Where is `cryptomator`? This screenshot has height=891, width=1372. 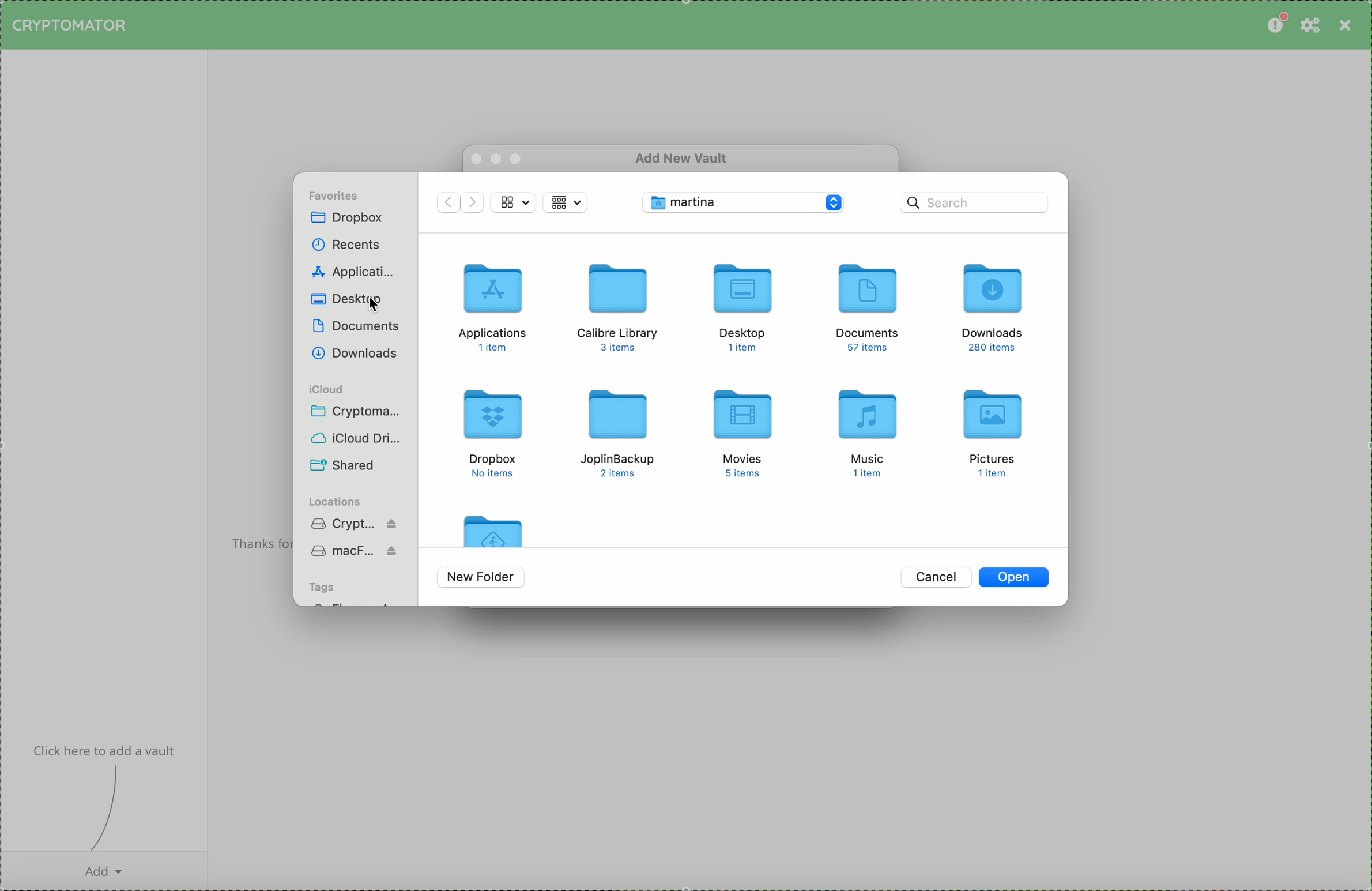
cryptomator is located at coordinates (355, 528).